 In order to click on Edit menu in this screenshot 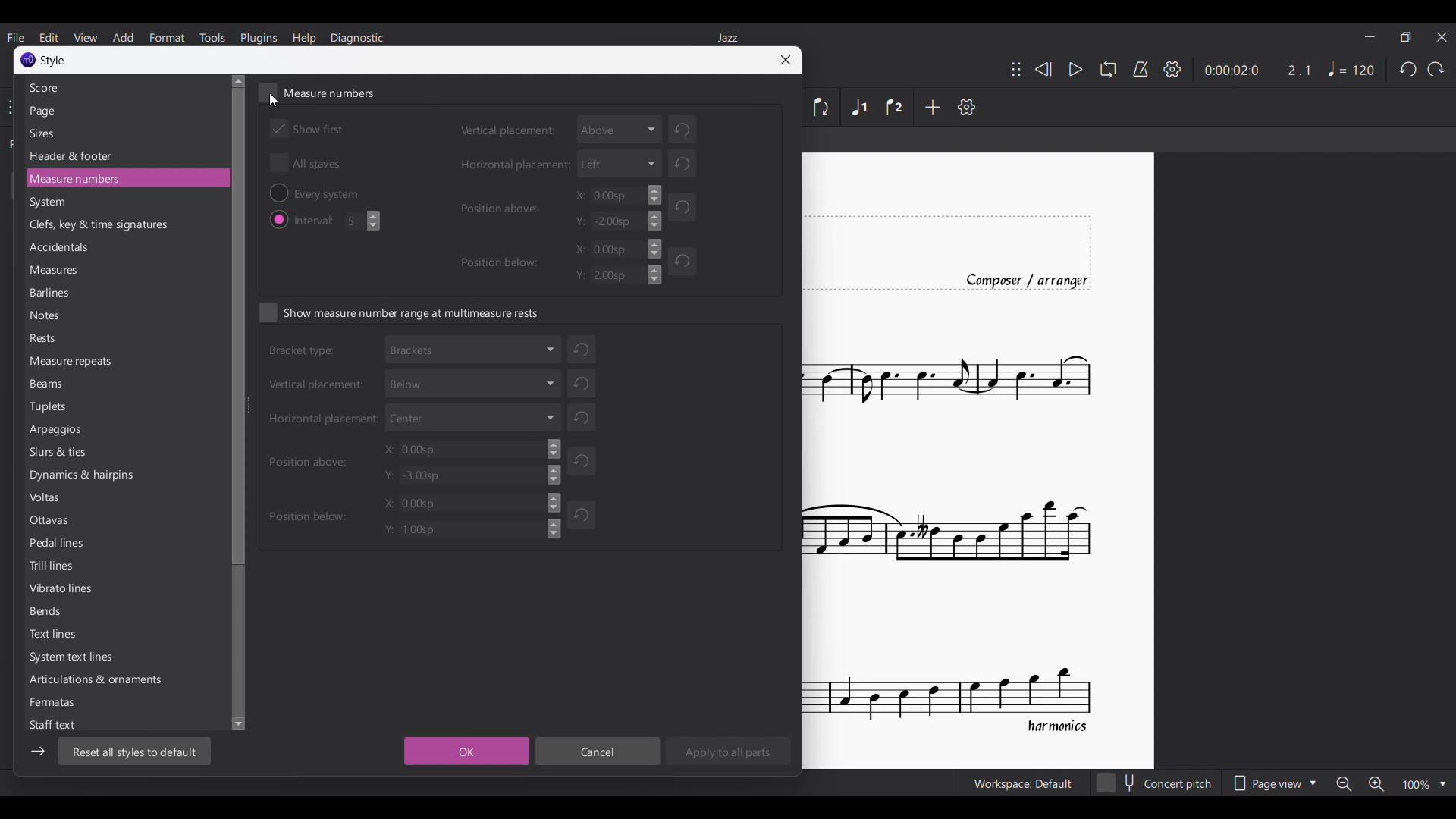, I will do `click(49, 37)`.